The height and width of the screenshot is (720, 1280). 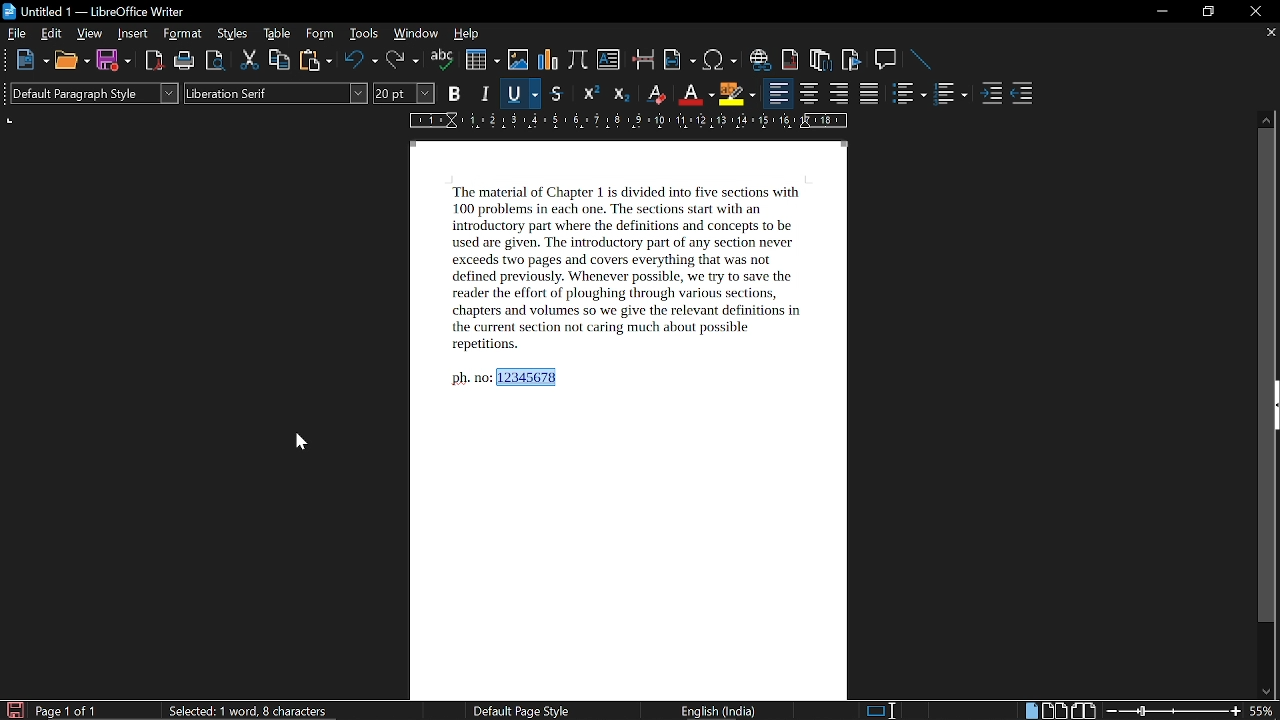 What do you see at coordinates (678, 60) in the screenshot?
I see `insert field` at bounding box center [678, 60].